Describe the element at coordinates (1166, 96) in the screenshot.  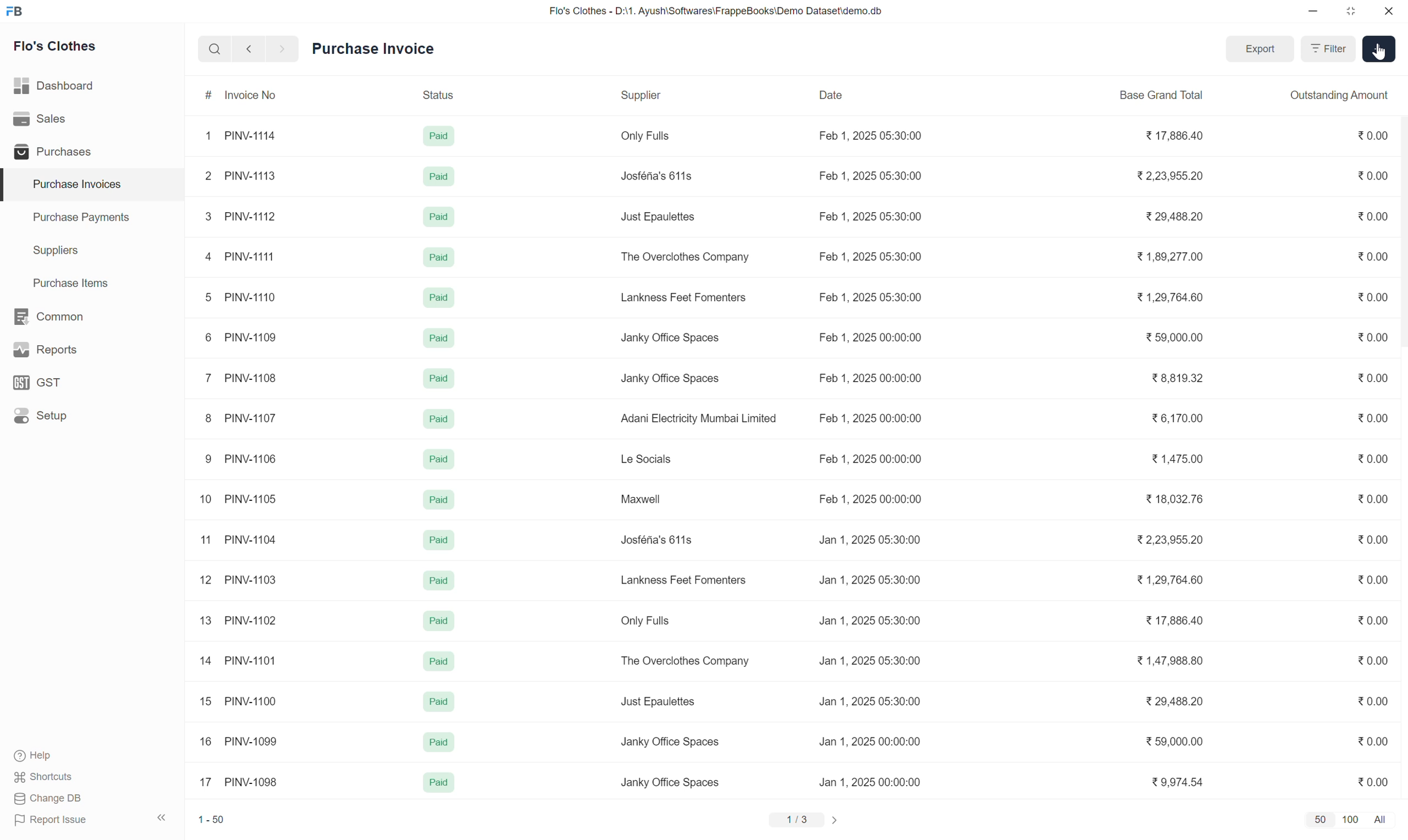
I see `Base Grand Total` at that location.